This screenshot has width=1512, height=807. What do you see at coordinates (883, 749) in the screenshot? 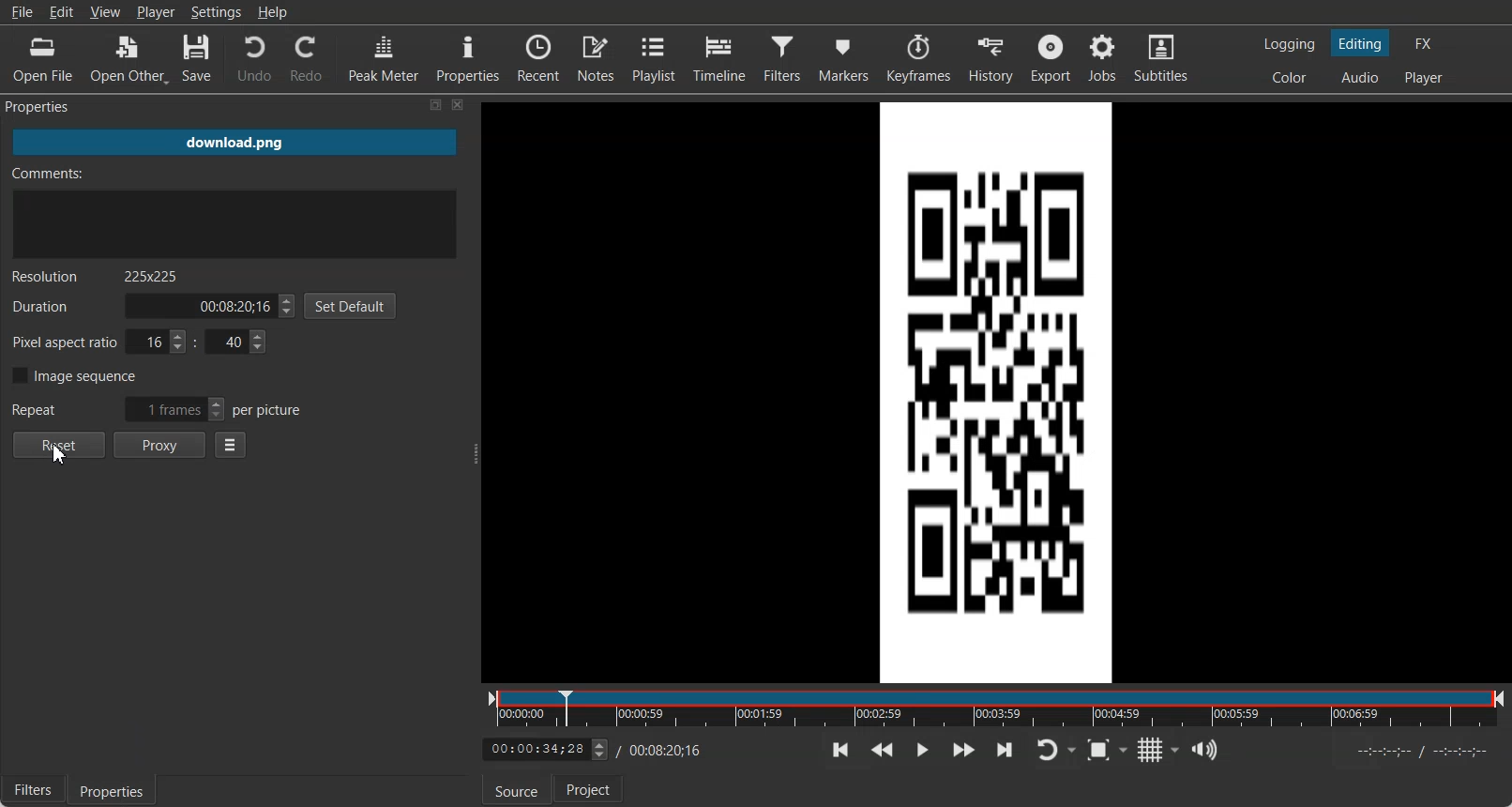
I see `Play quickly backward` at bounding box center [883, 749].